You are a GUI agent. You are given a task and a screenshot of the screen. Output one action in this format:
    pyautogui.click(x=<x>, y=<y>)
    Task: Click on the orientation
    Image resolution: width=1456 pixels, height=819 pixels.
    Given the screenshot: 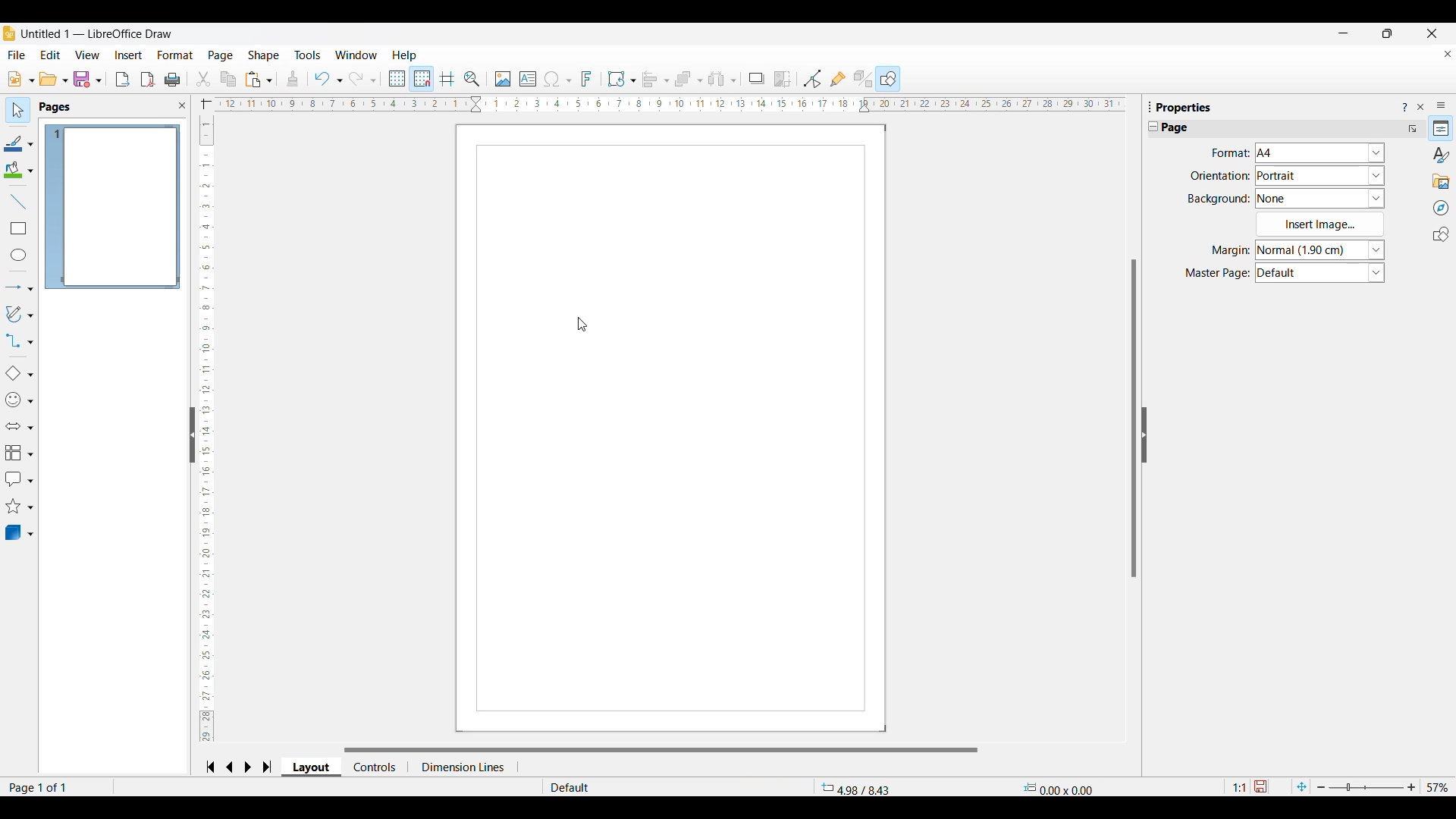 What is the action you would take?
    pyautogui.click(x=1220, y=176)
    